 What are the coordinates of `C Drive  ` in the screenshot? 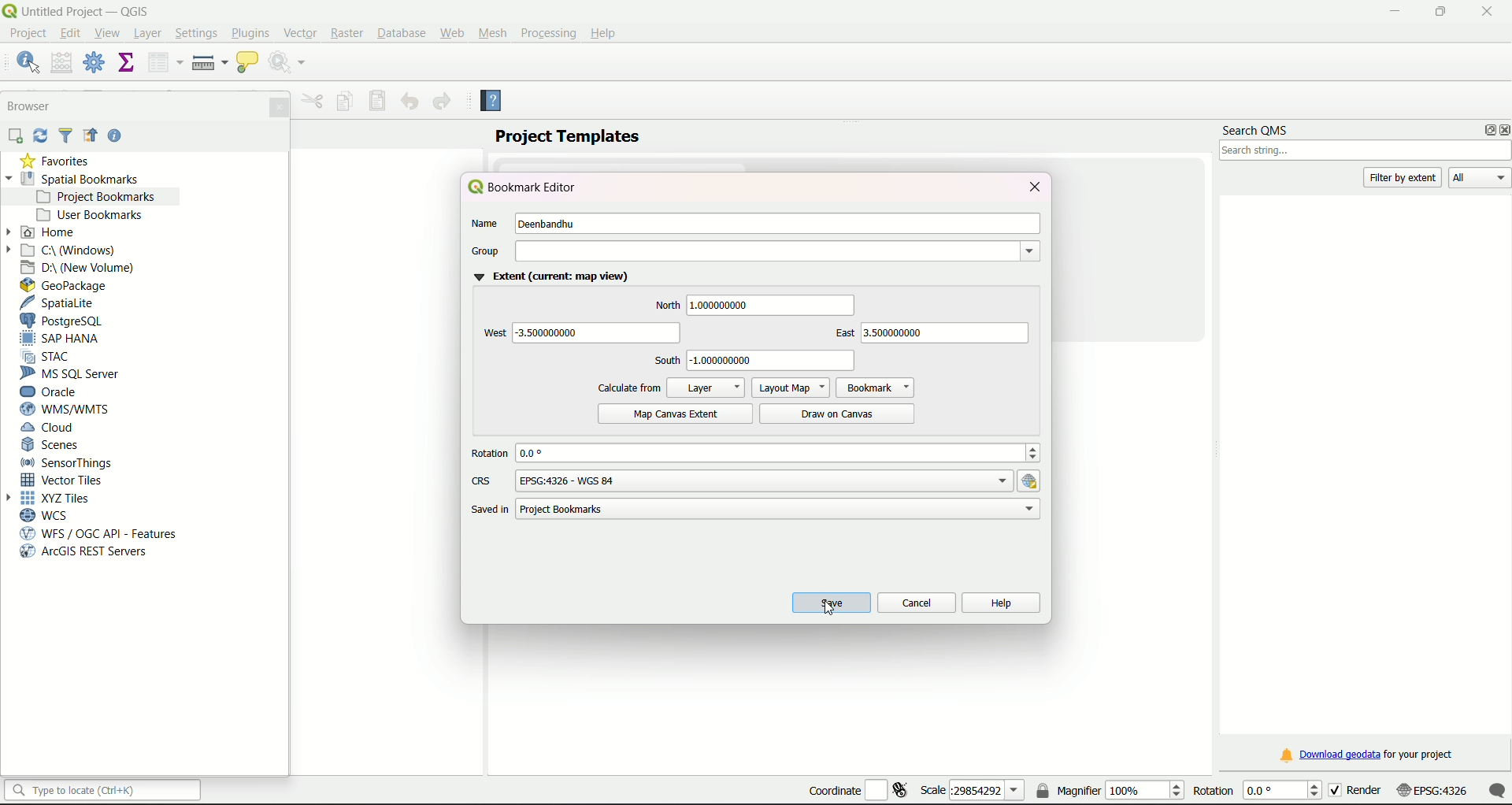 It's located at (71, 250).